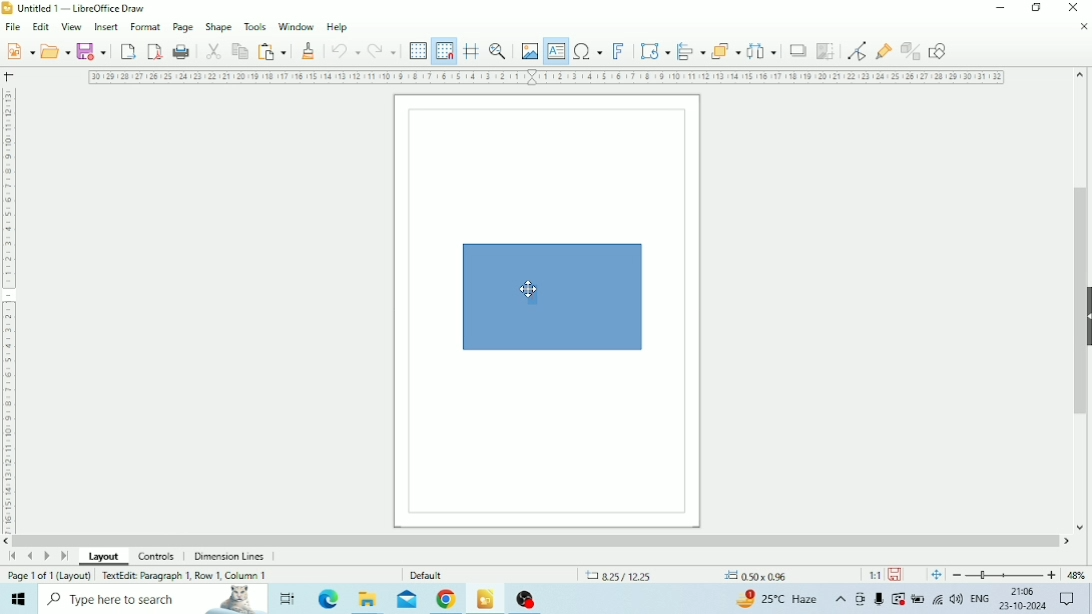 Image resolution: width=1092 pixels, height=614 pixels. I want to click on TextEdit, so click(184, 575).